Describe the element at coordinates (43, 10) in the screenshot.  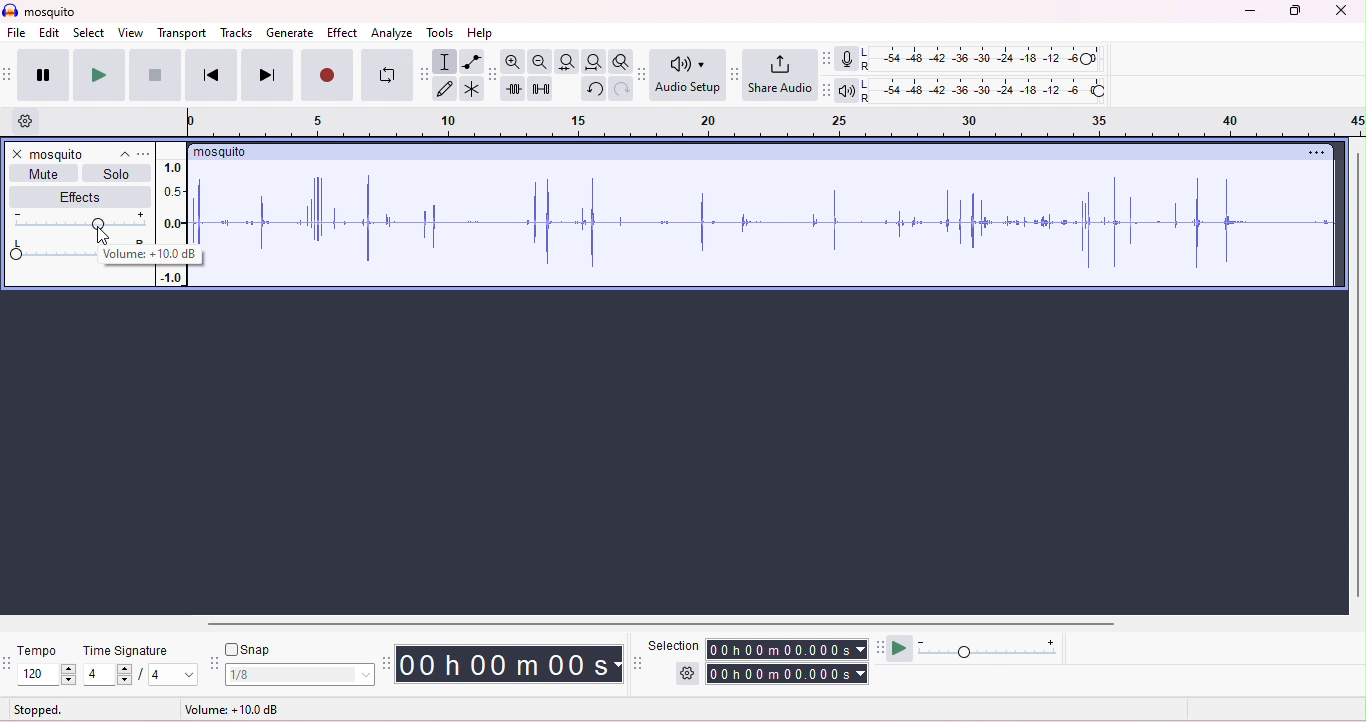
I see `title` at that location.